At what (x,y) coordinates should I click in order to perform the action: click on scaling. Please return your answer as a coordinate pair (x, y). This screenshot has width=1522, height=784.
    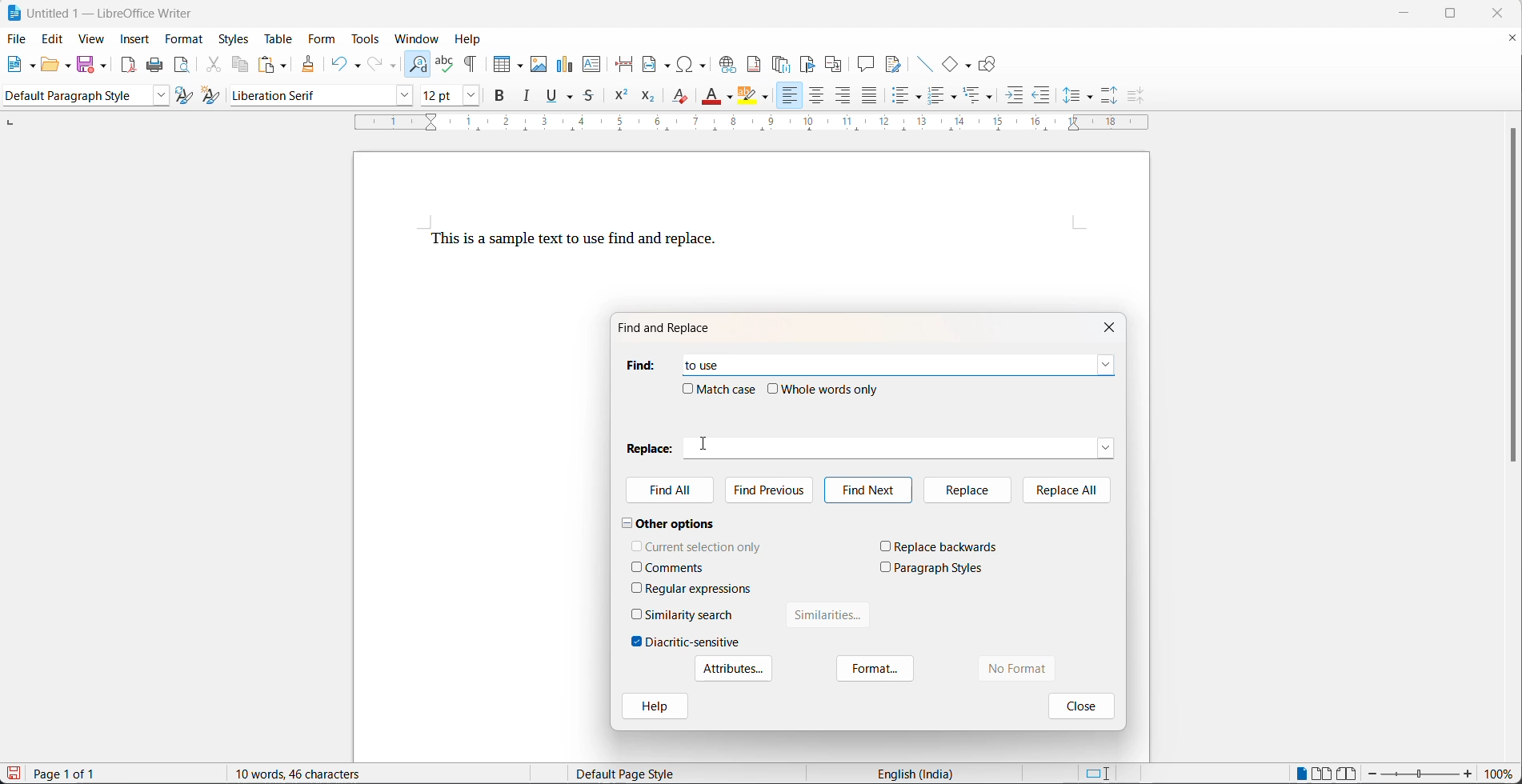
    Looking at the image, I should click on (763, 124).